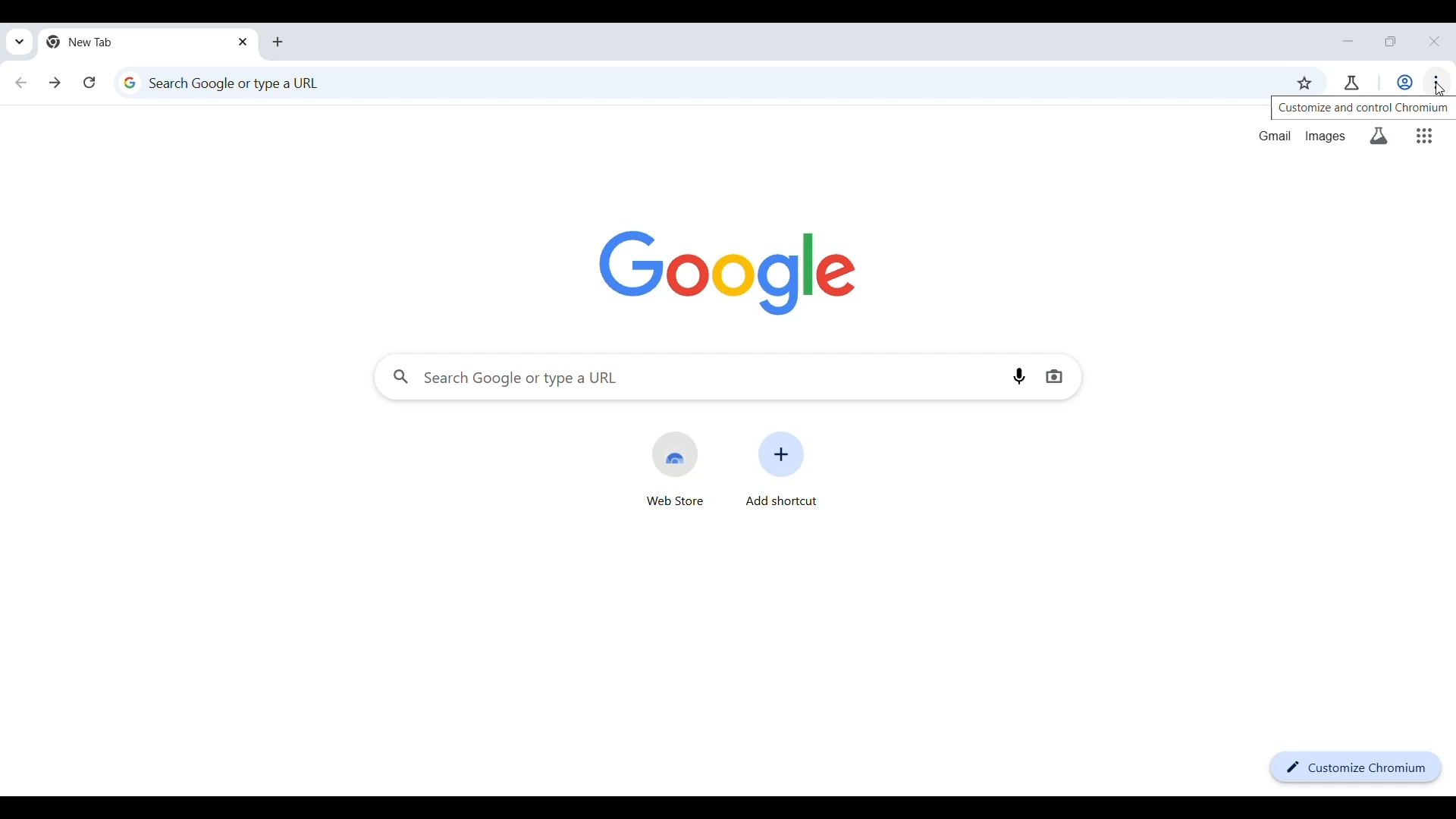 This screenshot has height=819, width=1456. I want to click on Go back, so click(21, 82).